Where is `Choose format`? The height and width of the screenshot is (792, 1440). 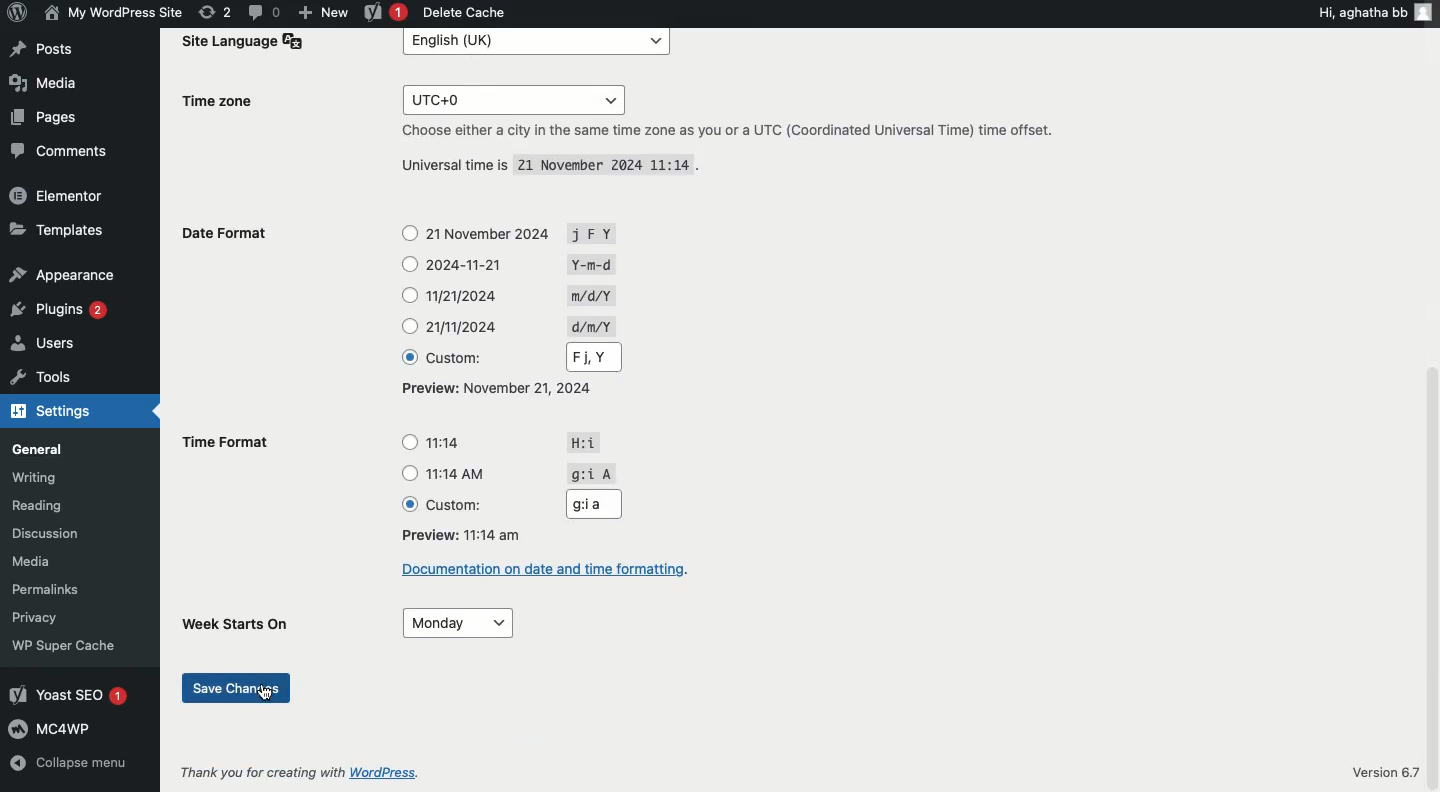
Choose format is located at coordinates (409, 294).